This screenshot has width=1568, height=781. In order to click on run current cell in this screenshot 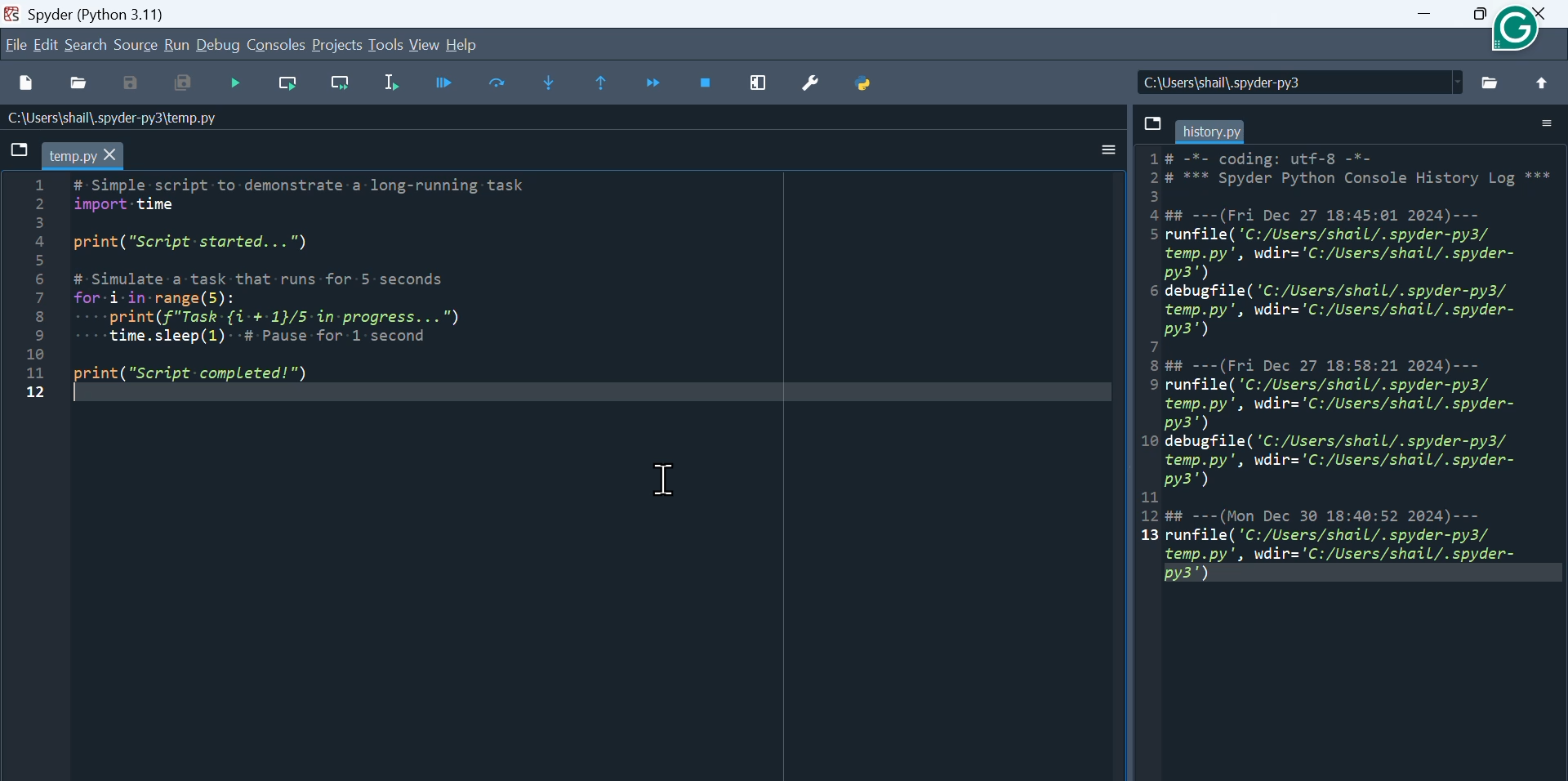, I will do `click(441, 81)`.